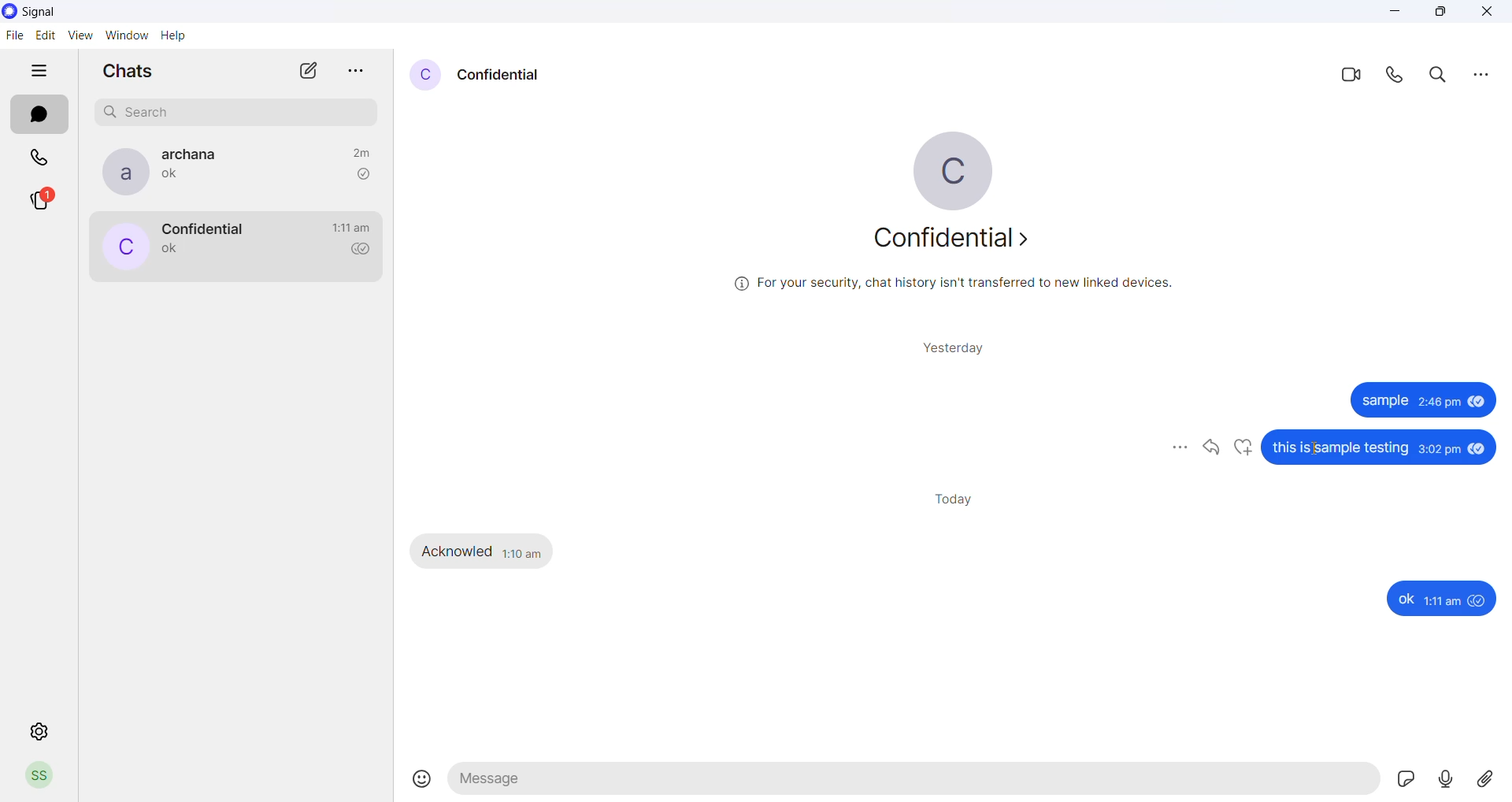  I want to click on hide, so click(39, 72).